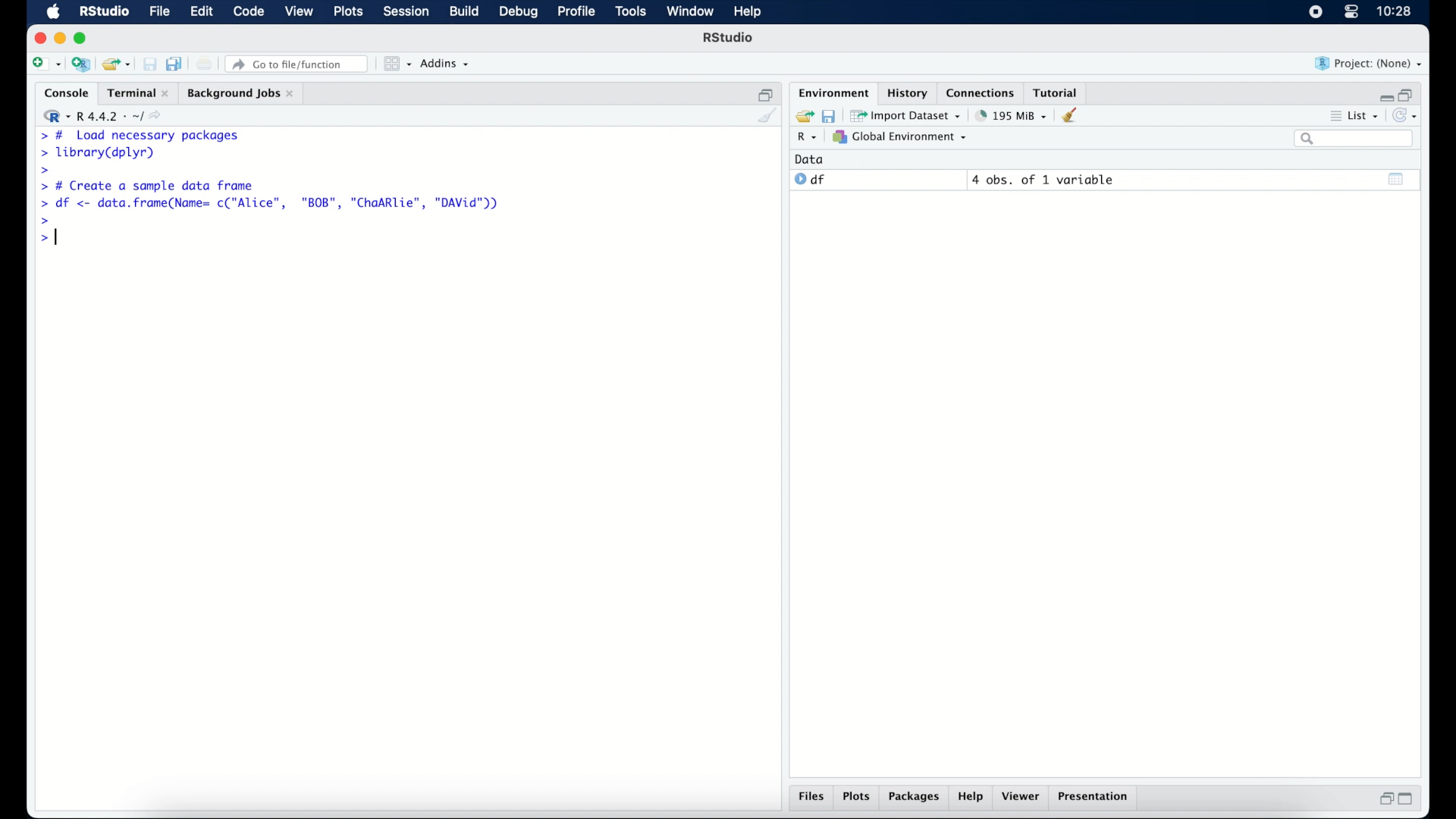 This screenshot has height=819, width=1456. What do you see at coordinates (810, 180) in the screenshot?
I see `df` at bounding box center [810, 180].